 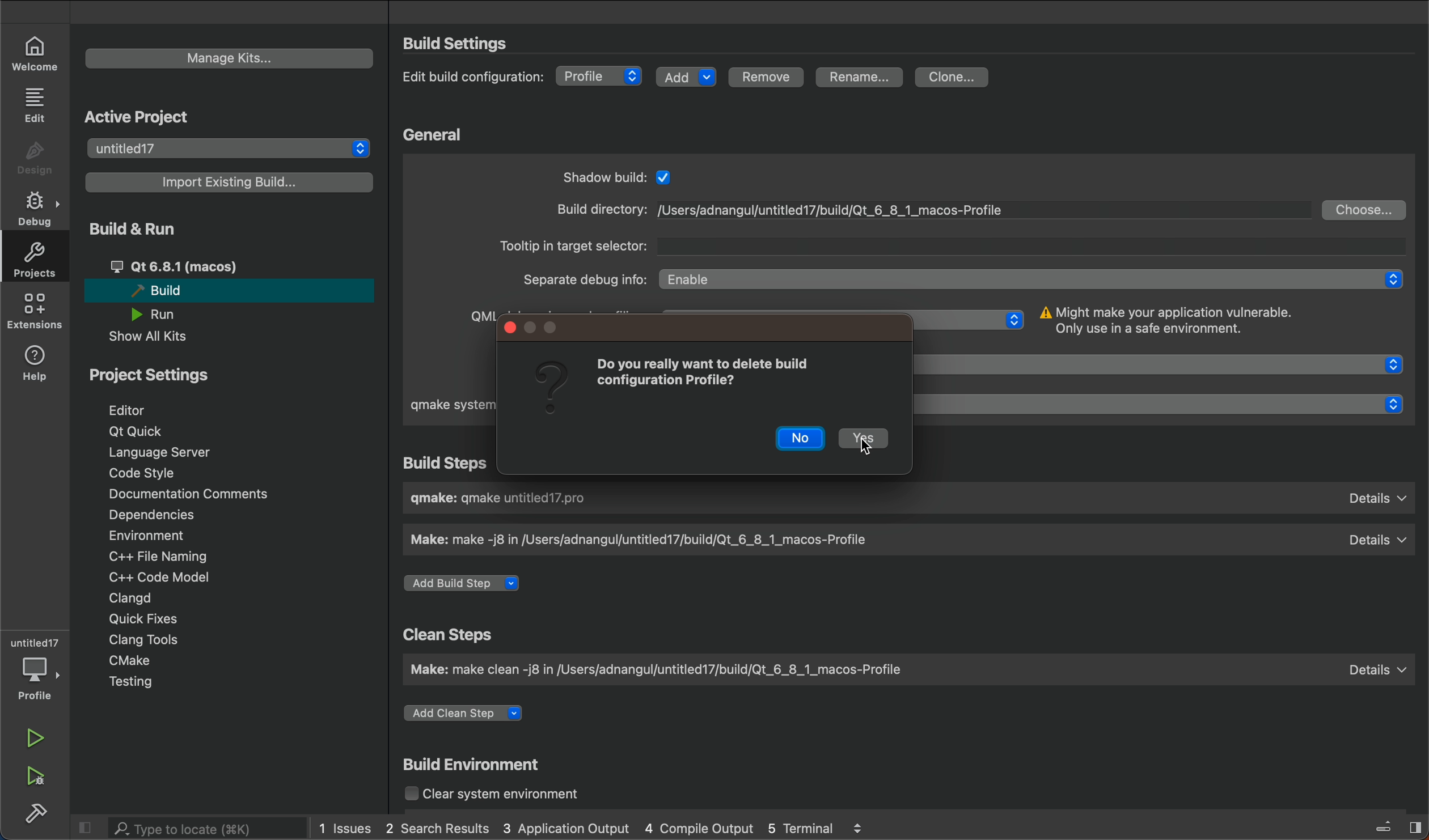 I want to click on settings, so click(x=461, y=45).